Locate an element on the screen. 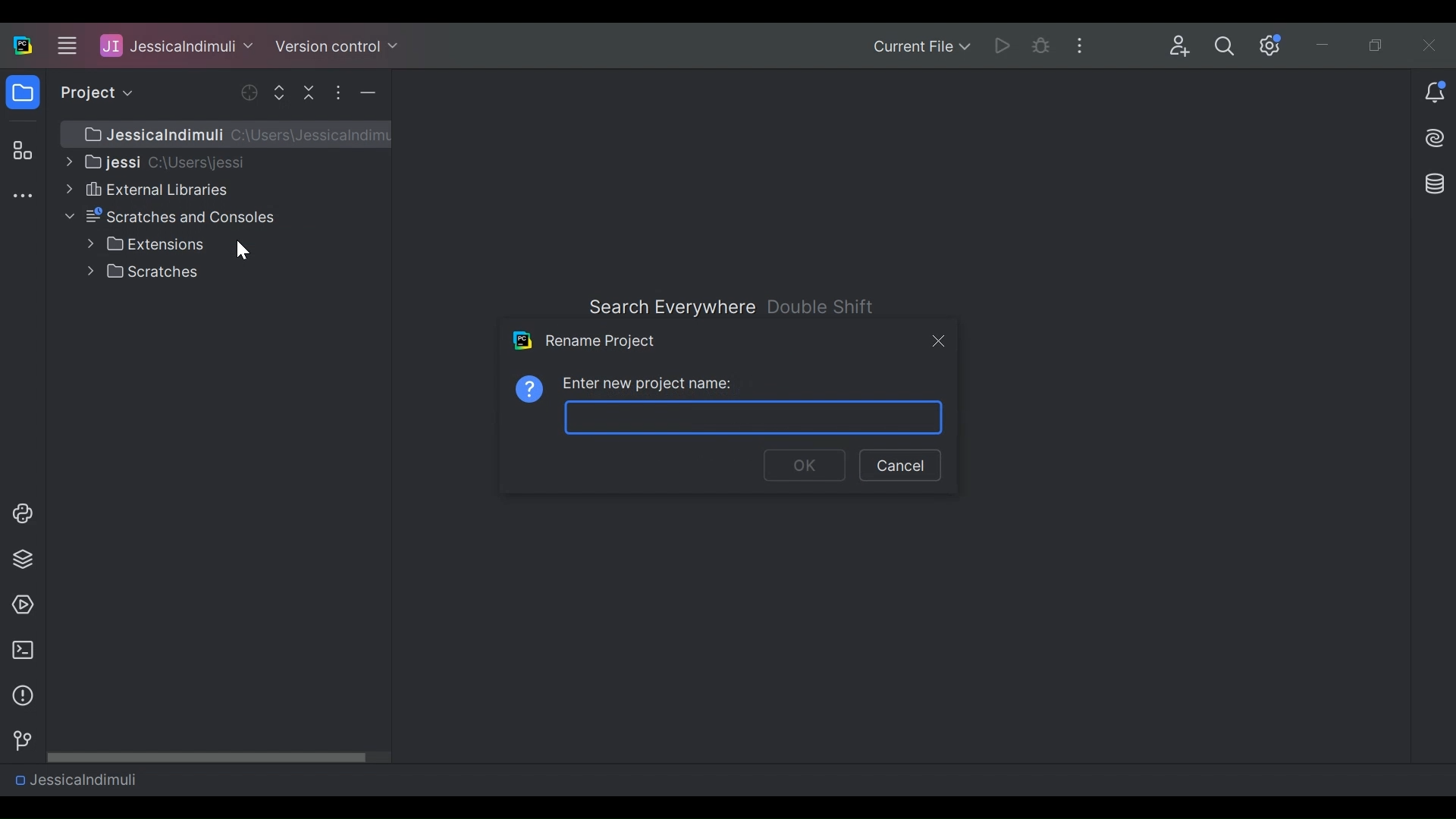 The image size is (1456, 819). Project Name is located at coordinates (177, 45).